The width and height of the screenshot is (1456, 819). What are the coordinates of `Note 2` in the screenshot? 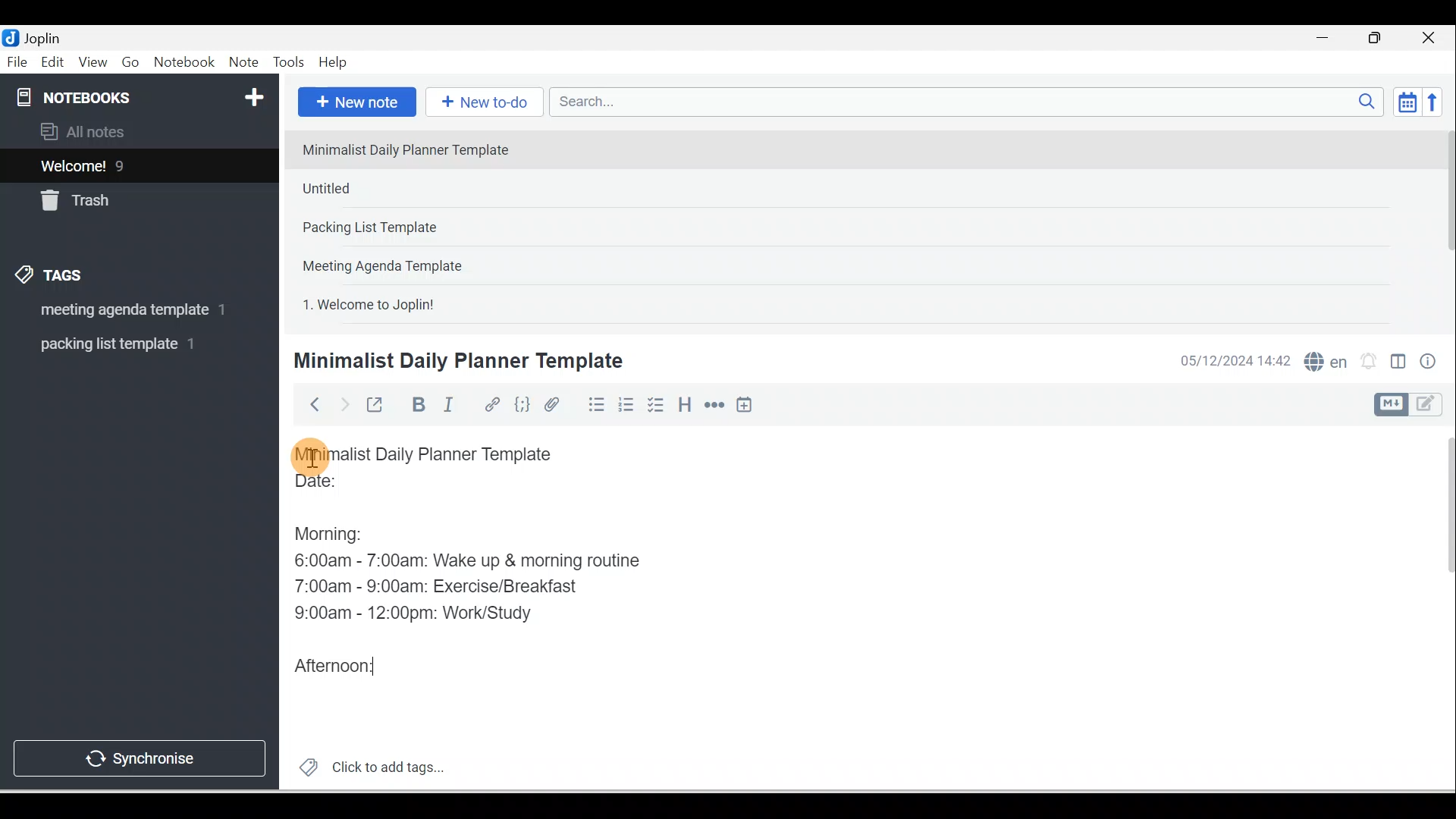 It's located at (401, 188).